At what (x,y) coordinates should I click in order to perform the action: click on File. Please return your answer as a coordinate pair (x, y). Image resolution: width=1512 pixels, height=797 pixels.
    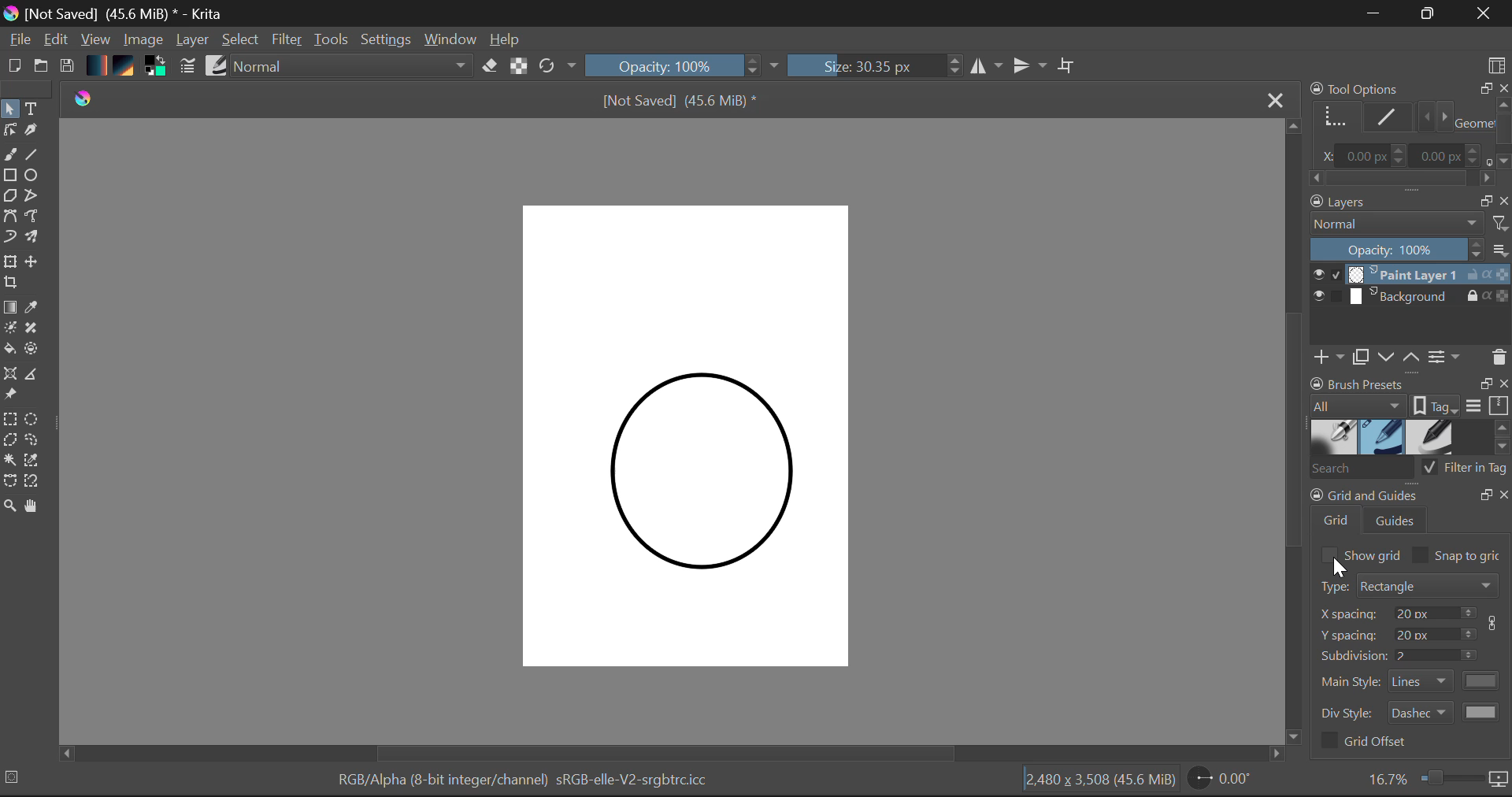
    Looking at the image, I should click on (18, 39).